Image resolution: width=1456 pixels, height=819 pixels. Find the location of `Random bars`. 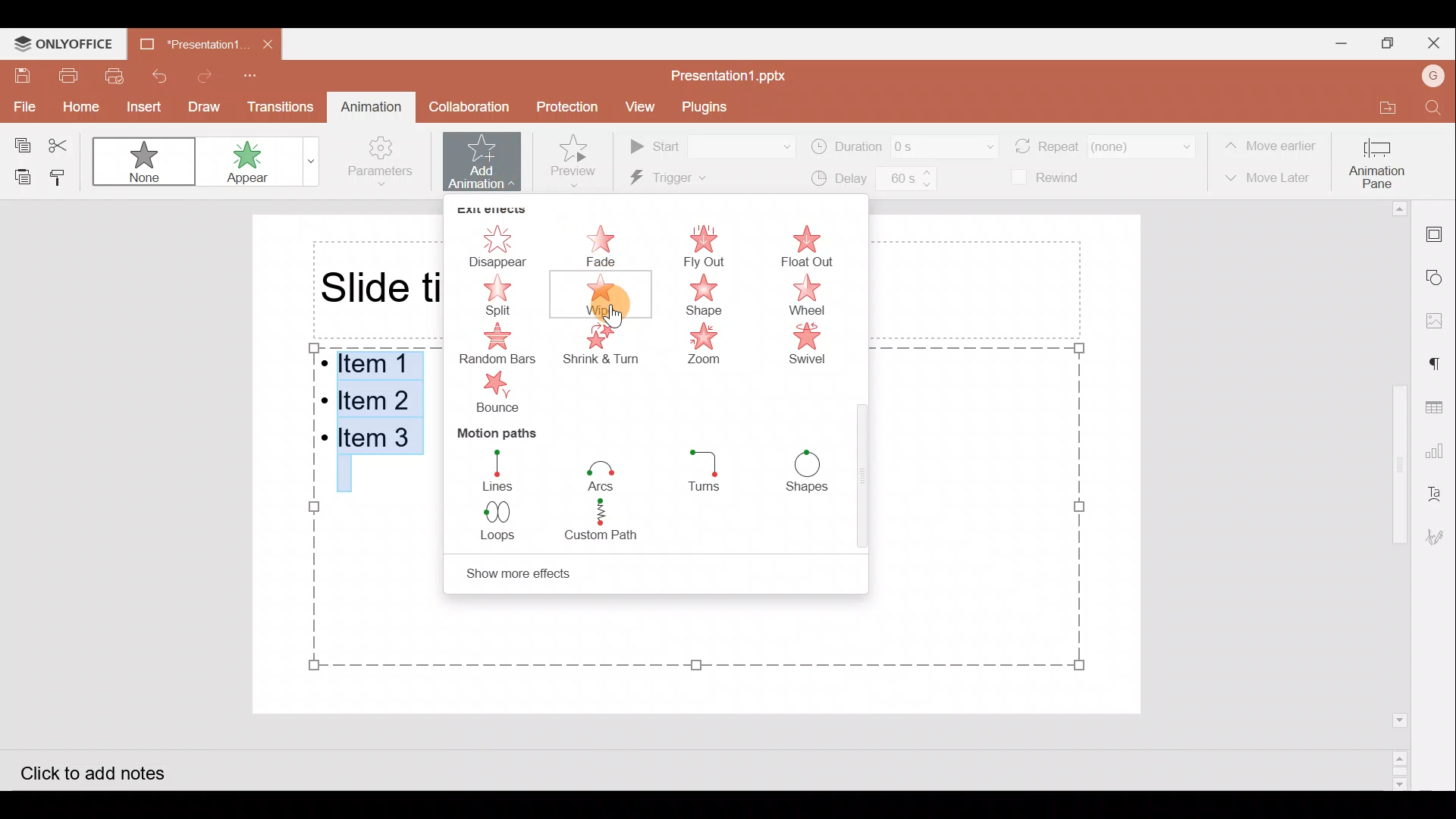

Random bars is located at coordinates (500, 344).